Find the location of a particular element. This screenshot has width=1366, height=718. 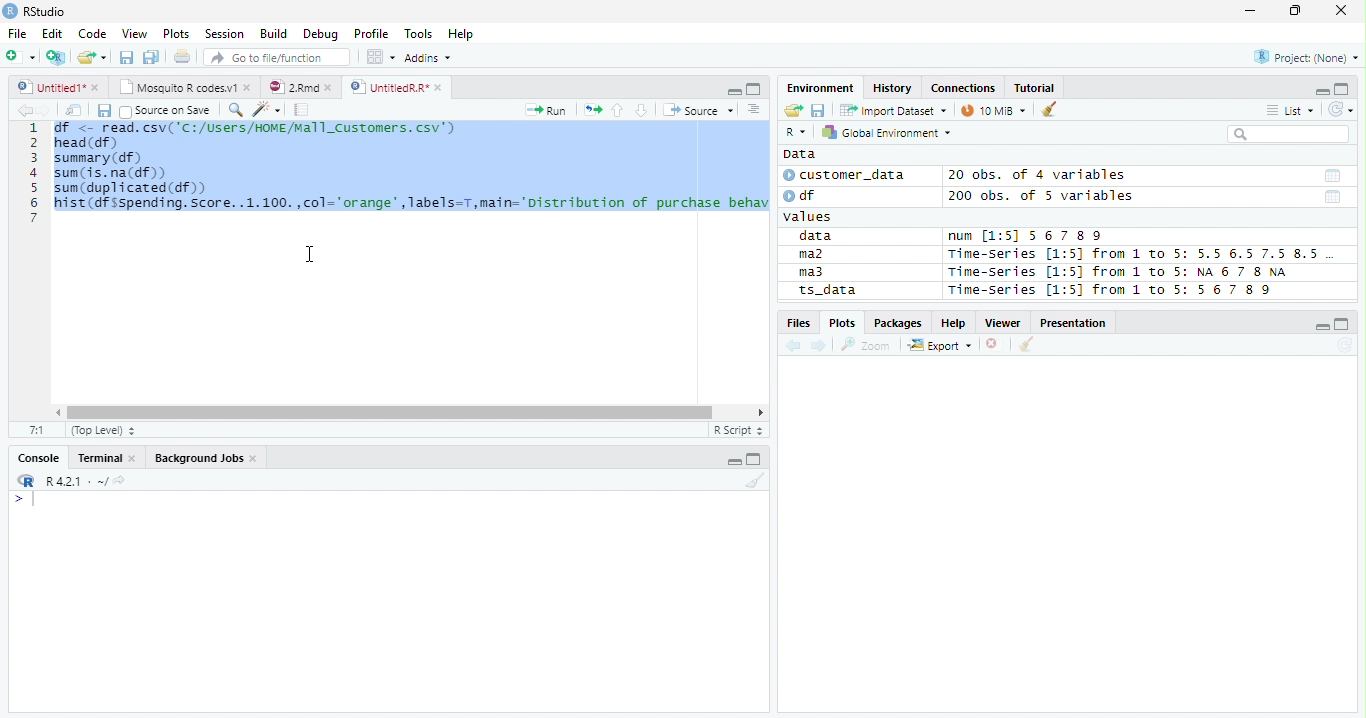

Connections is located at coordinates (963, 88).